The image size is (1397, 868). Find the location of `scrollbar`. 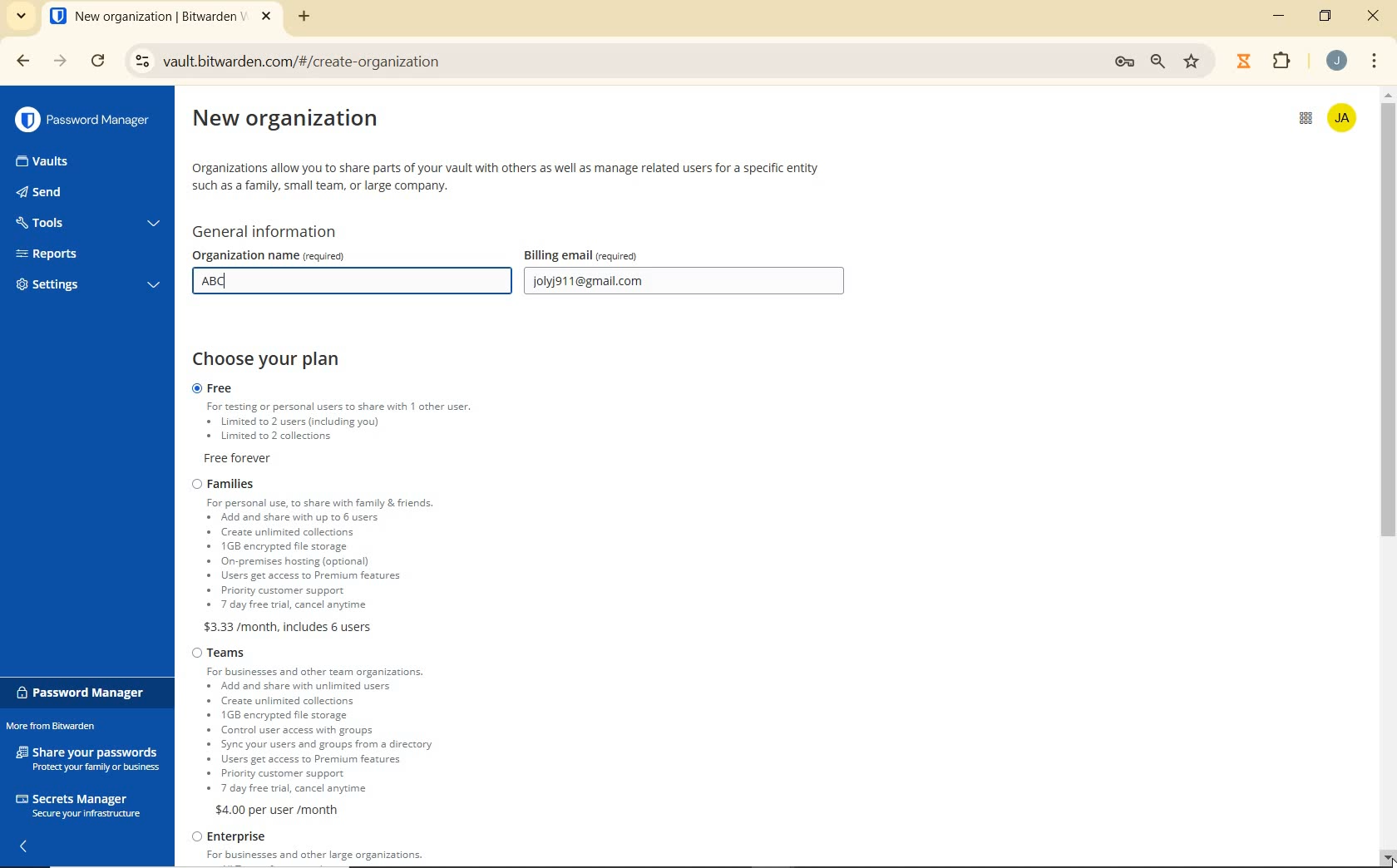

scrollbar is located at coordinates (1389, 475).